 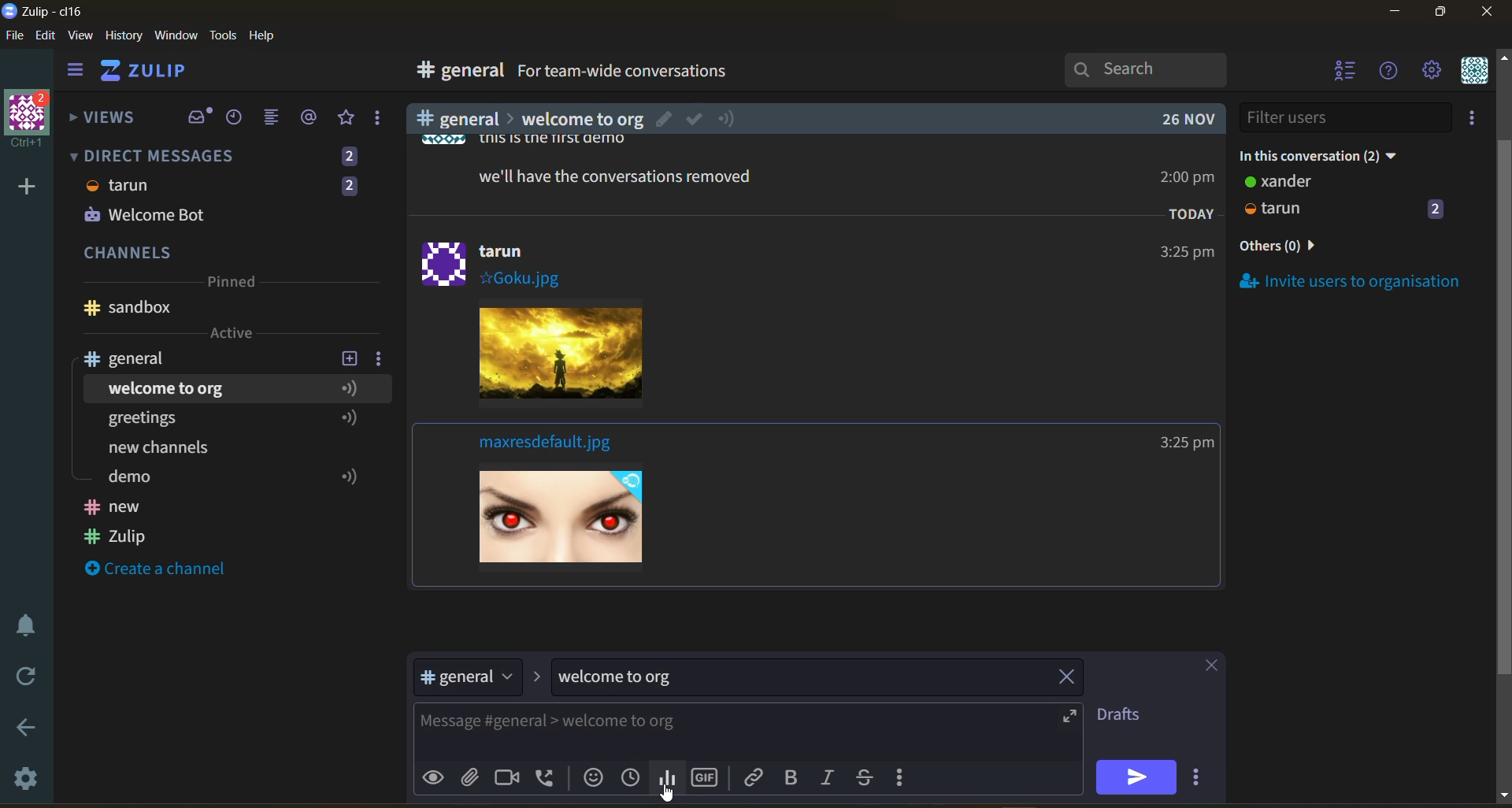 What do you see at coordinates (22, 623) in the screenshot?
I see `enable do not disturb` at bounding box center [22, 623].